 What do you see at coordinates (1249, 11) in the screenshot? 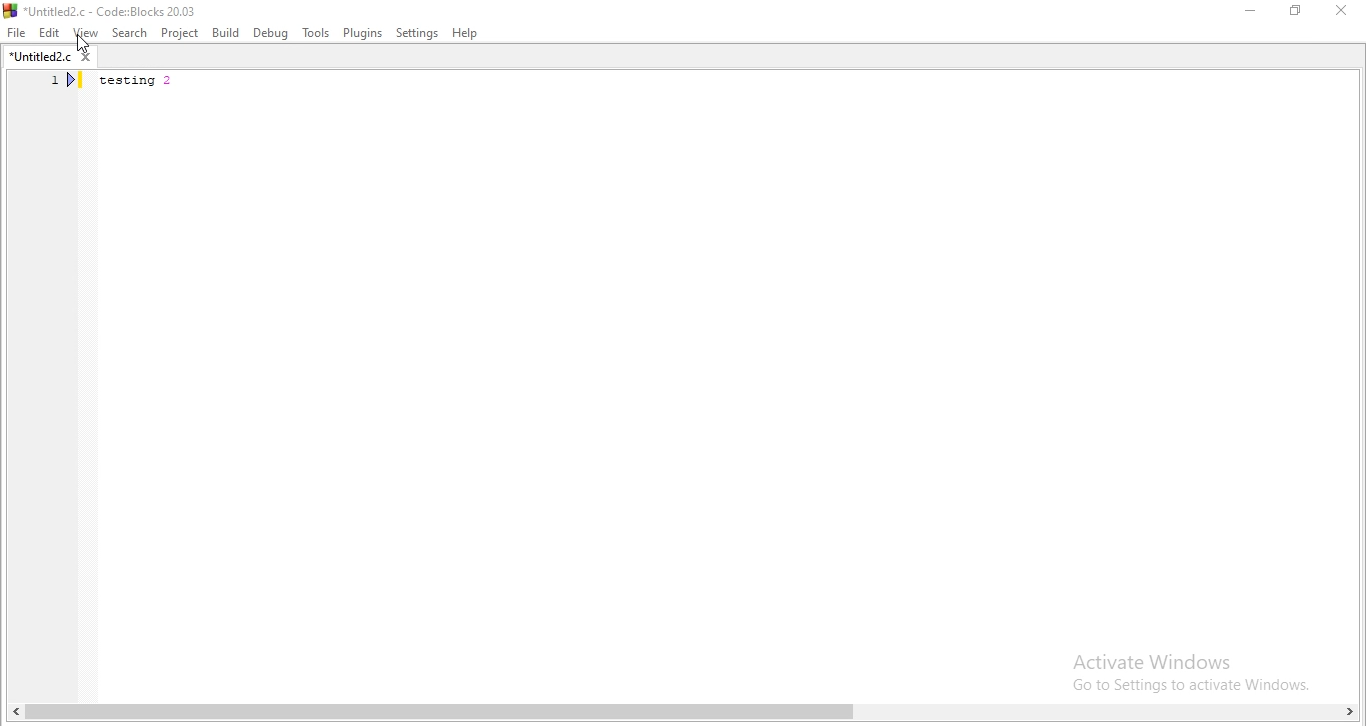
I see `Minimise` at bounding box center [1249, 11].